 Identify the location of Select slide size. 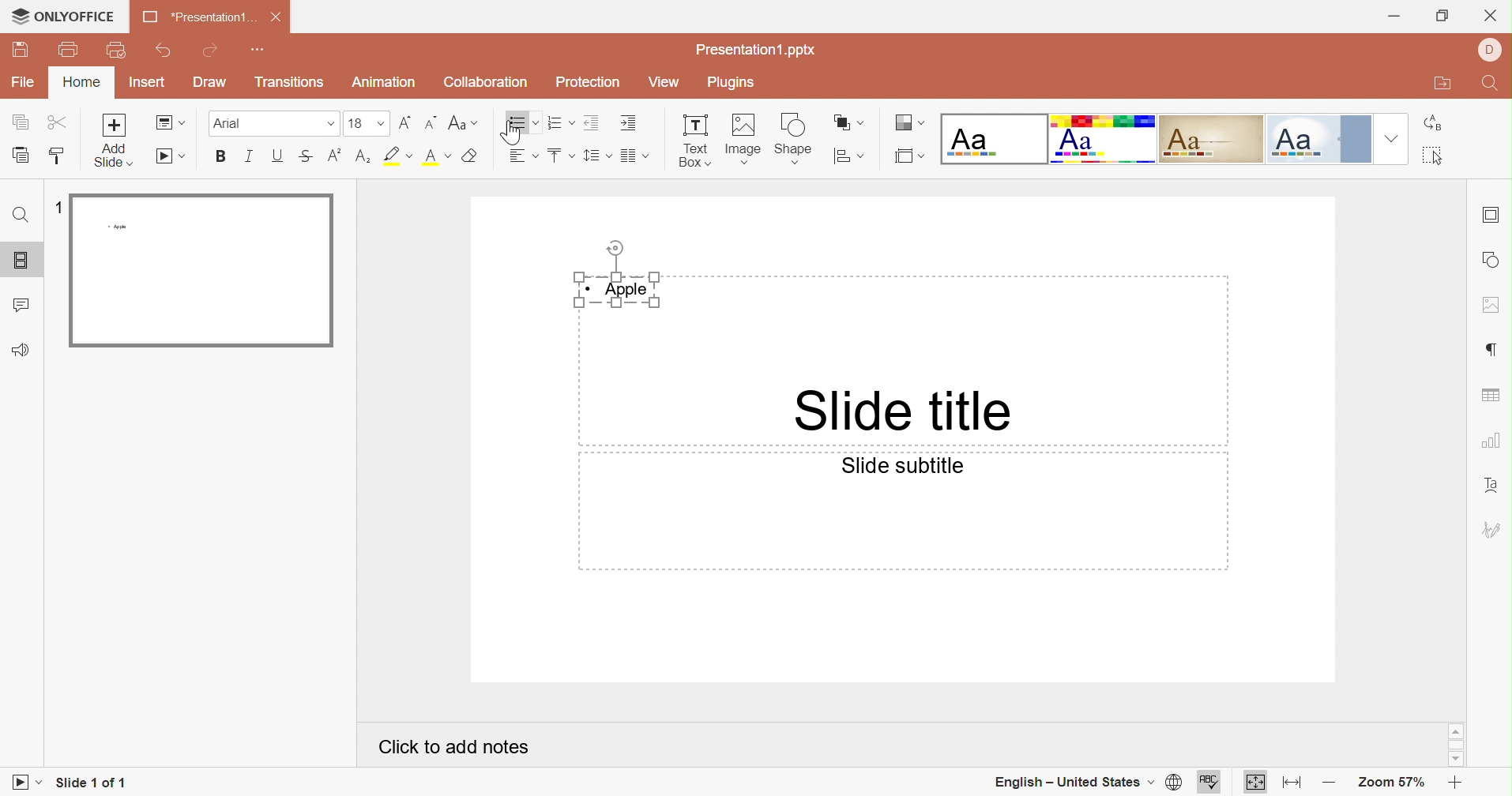
(912, 157).